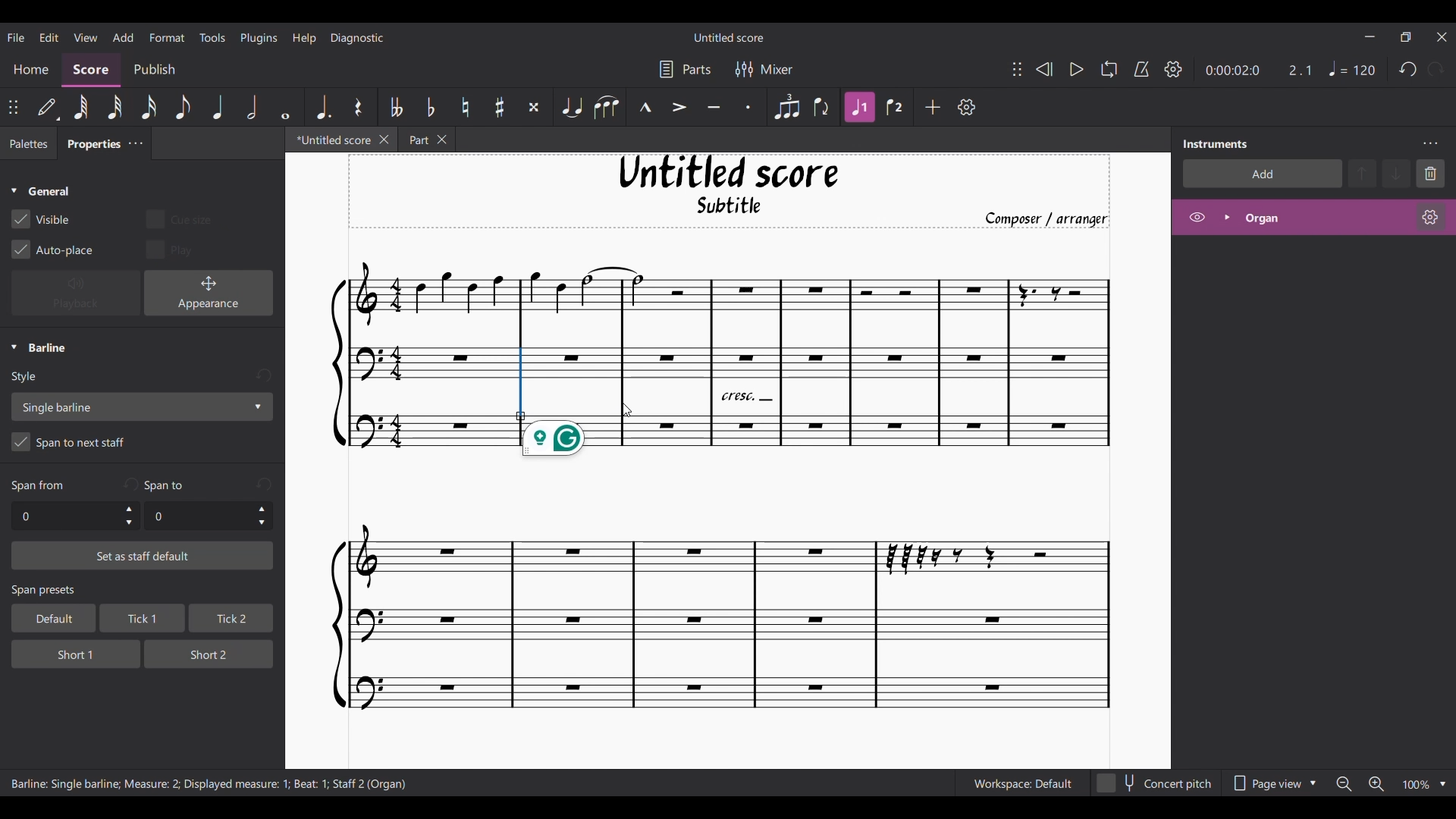 This screenshot has width=1456, height=819. Describe the element at coordinates (80, 108) in the screenshot. I see `64th note` at that location.